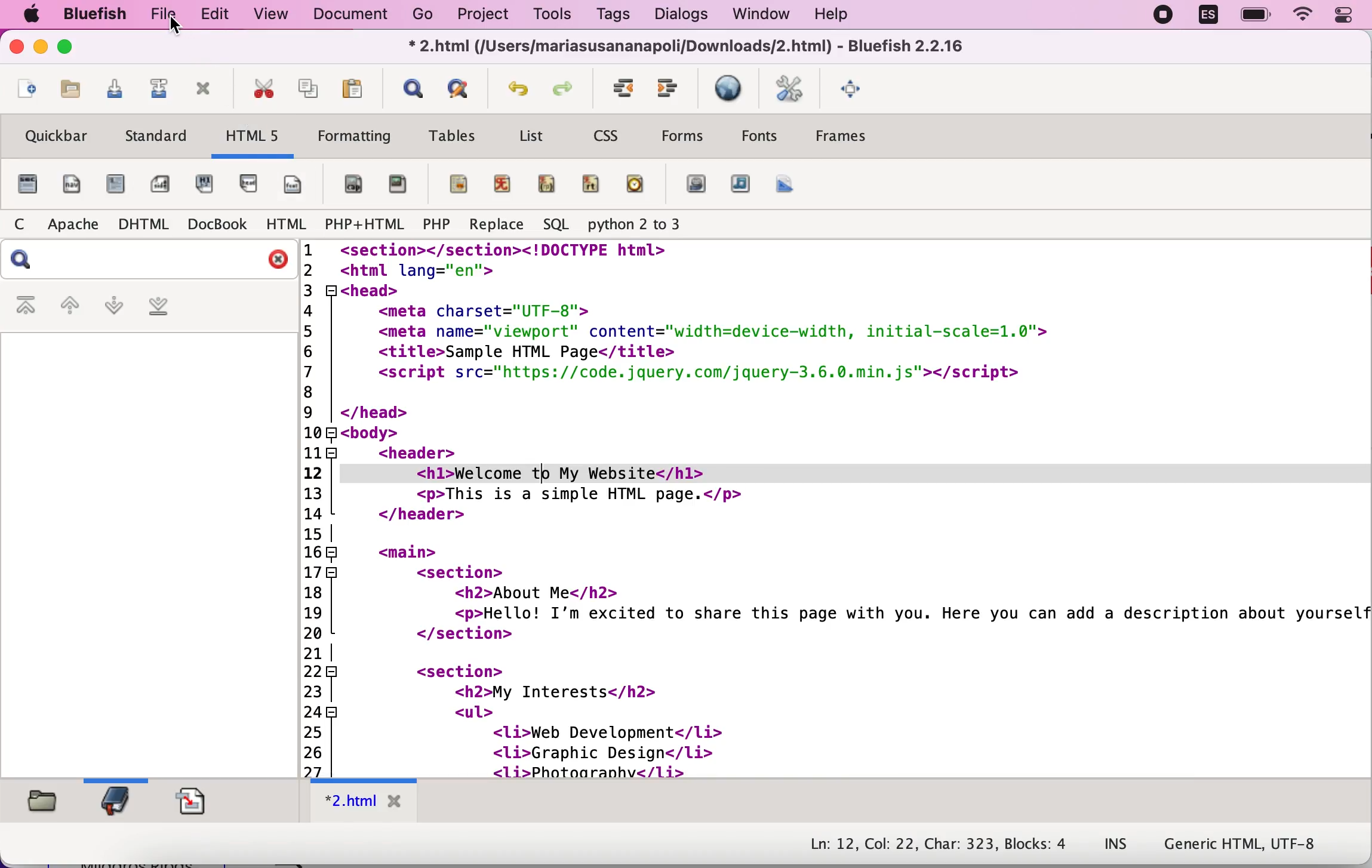  I want to click on close, so click(17, 48).